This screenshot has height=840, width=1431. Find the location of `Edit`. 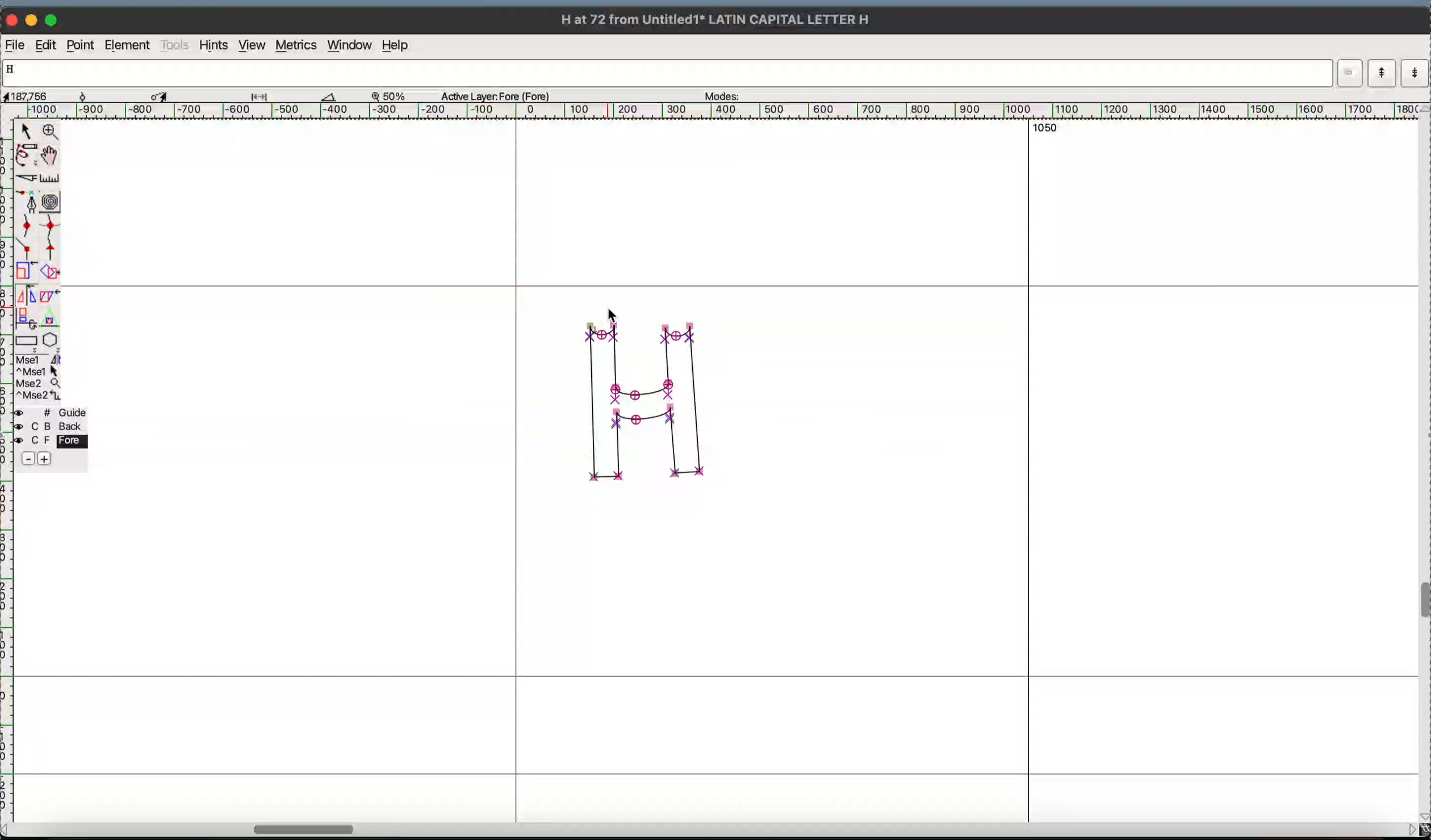

Edit is located at coordinates (47, 44).